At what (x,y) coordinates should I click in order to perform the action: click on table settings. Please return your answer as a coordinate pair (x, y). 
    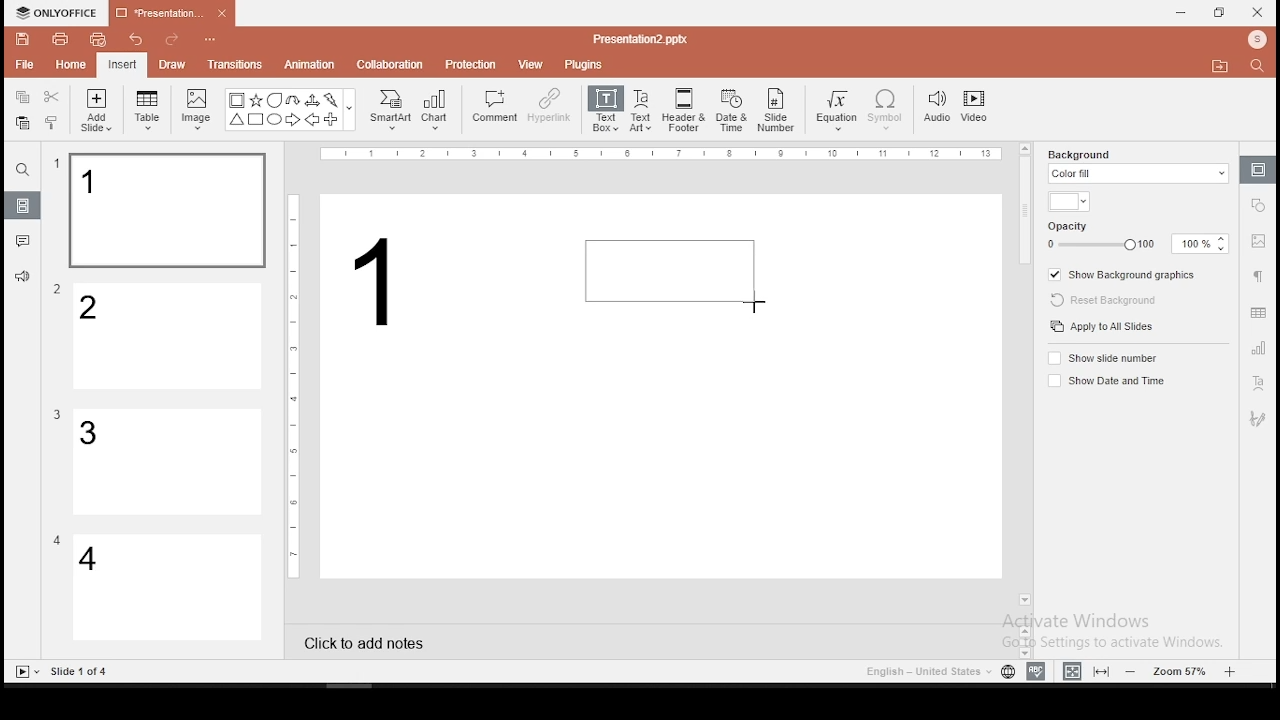
    Looking at the image, I should click on (1256, 313).